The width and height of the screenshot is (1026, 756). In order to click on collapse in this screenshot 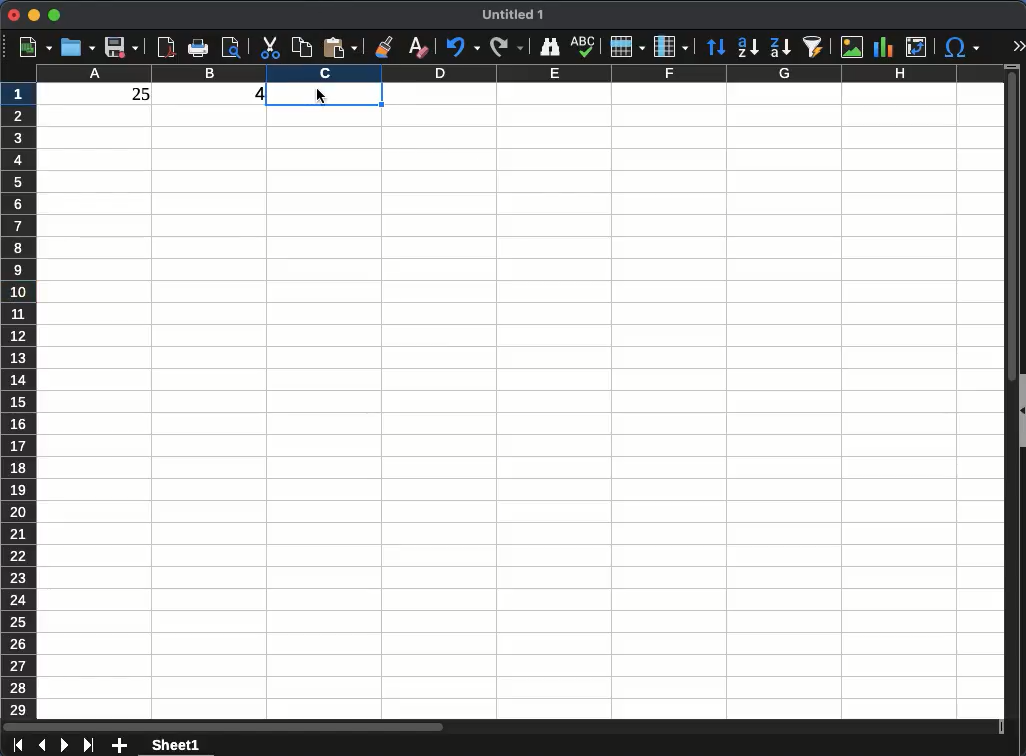, I will do `click(1020, 410)`.